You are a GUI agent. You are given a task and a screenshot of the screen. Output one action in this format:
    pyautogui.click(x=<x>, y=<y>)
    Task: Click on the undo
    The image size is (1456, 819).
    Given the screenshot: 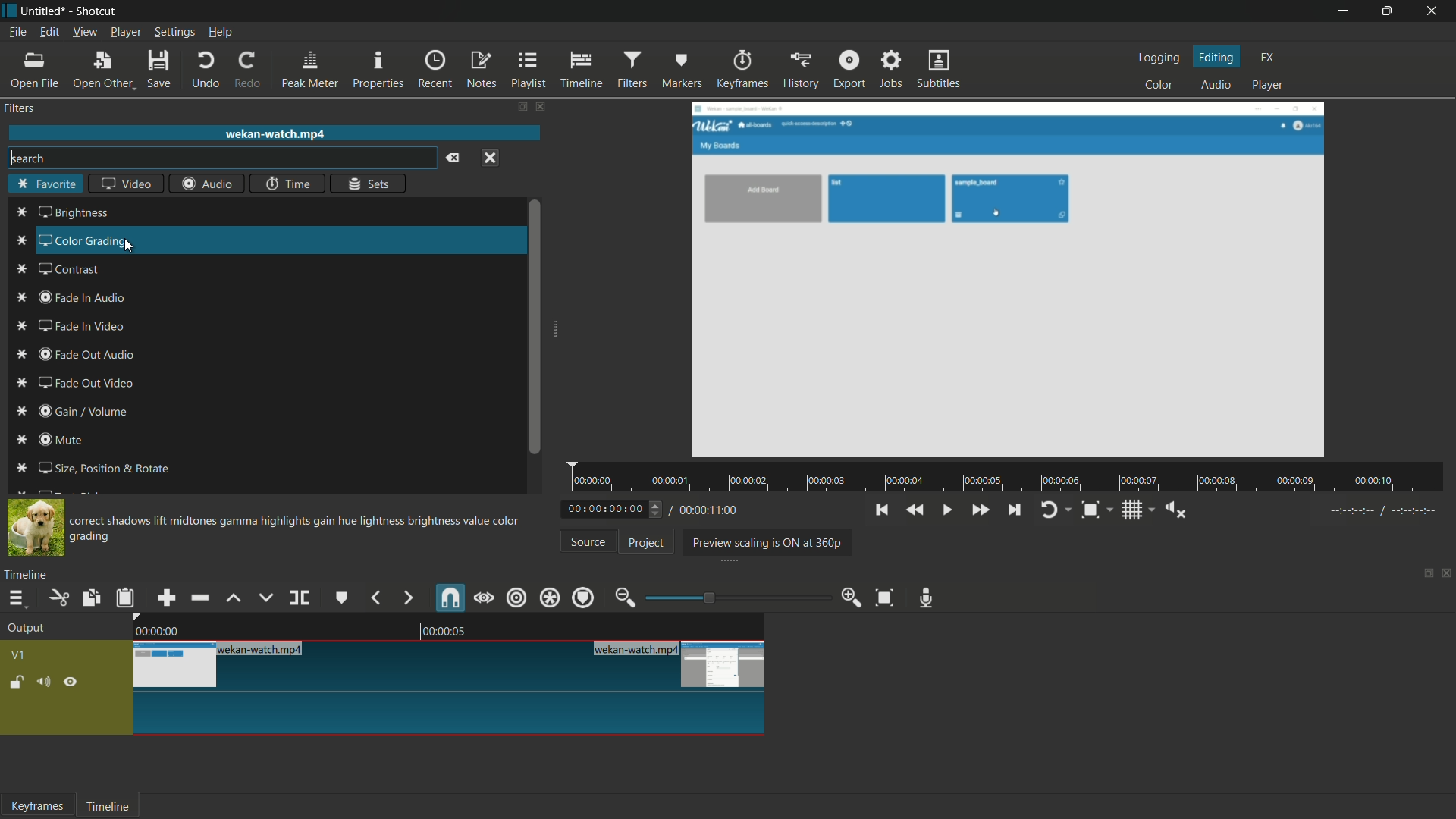 What is the action you would take?
    pyautogui.click(x=206, y=70)
    